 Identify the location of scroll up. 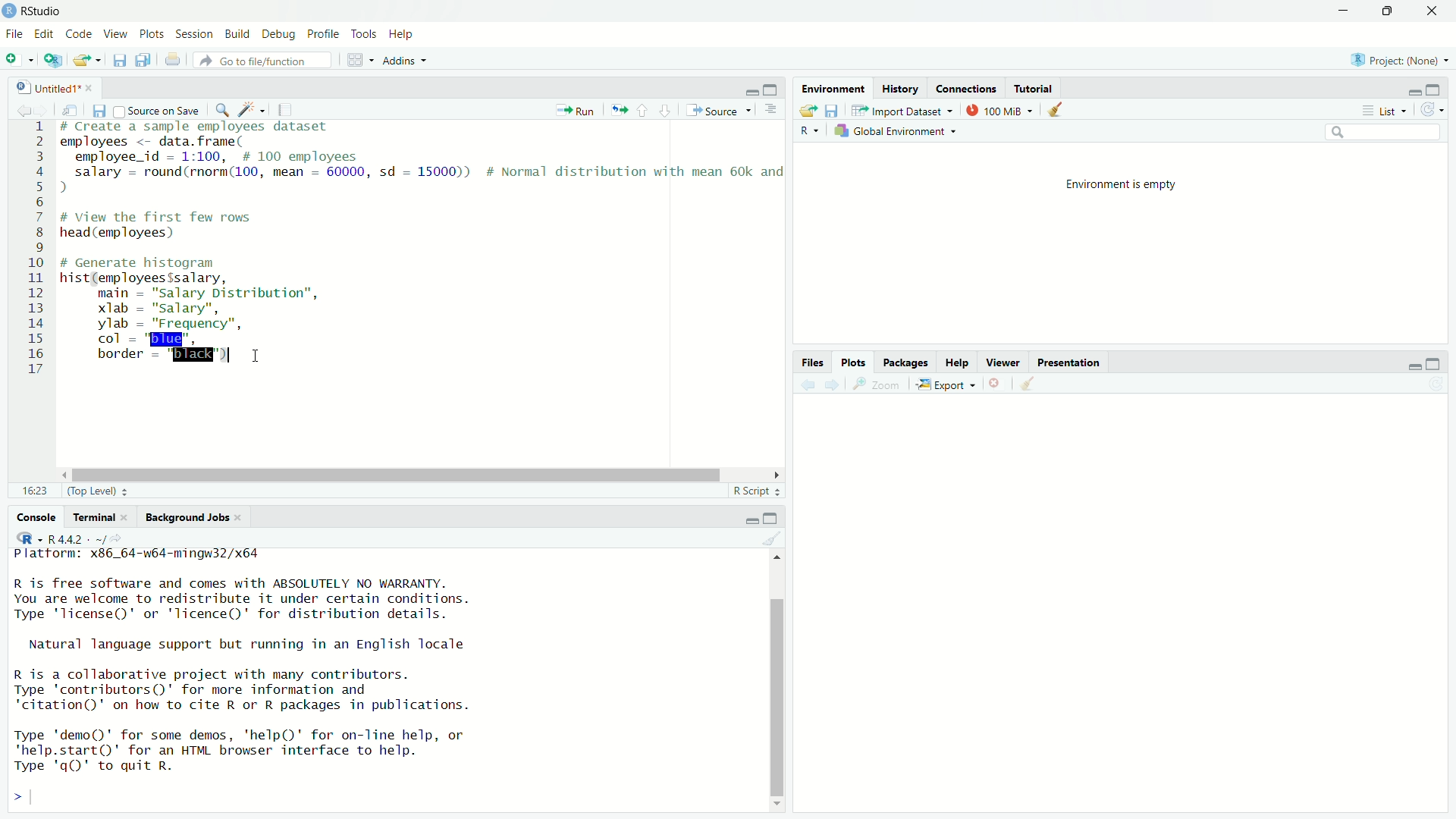
(778, 557).